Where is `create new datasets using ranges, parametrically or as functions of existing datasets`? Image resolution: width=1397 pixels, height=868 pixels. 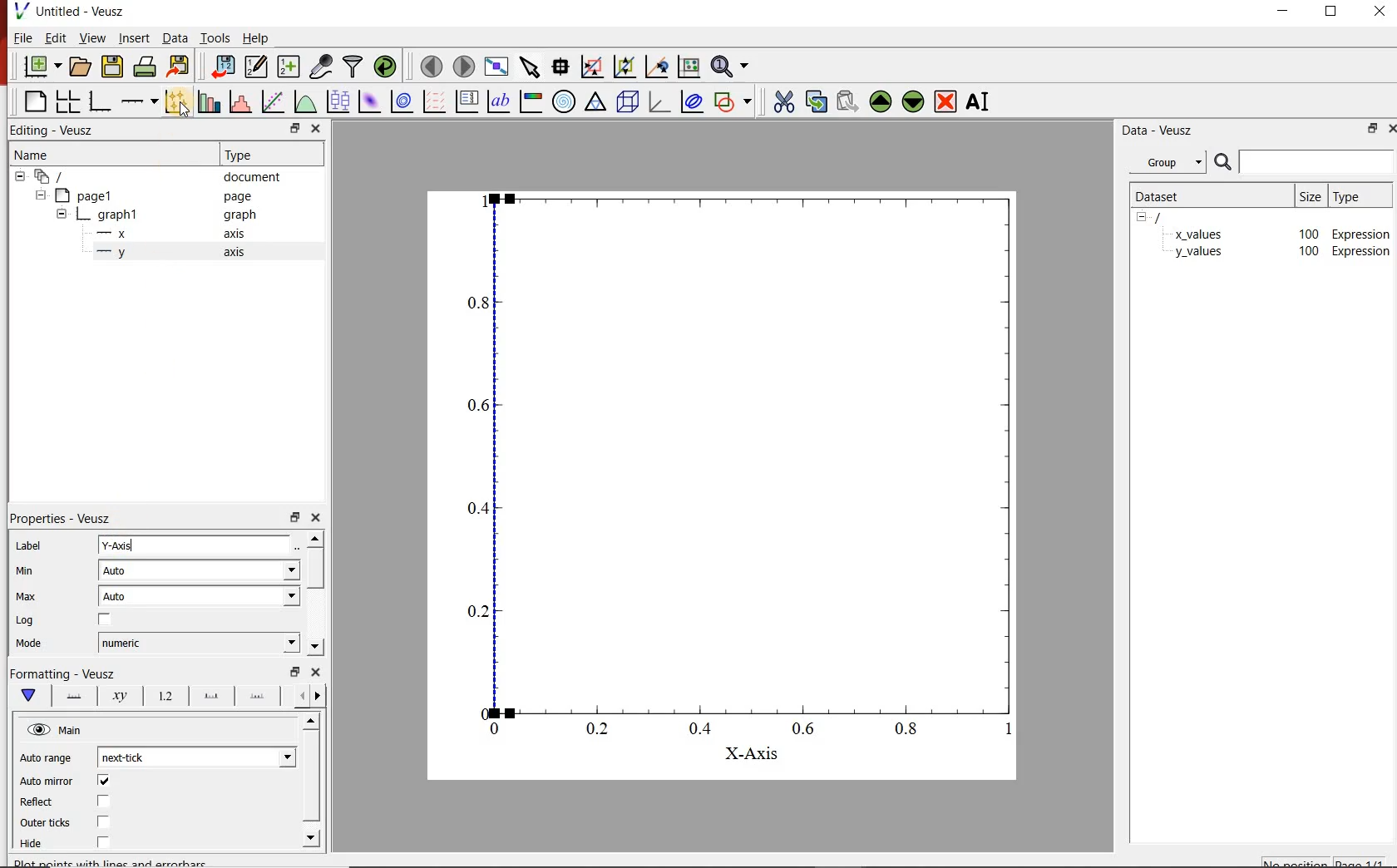
create new datasets using ranges, parametrically or as functions of existing datasets is located at coordinates (291, 67).